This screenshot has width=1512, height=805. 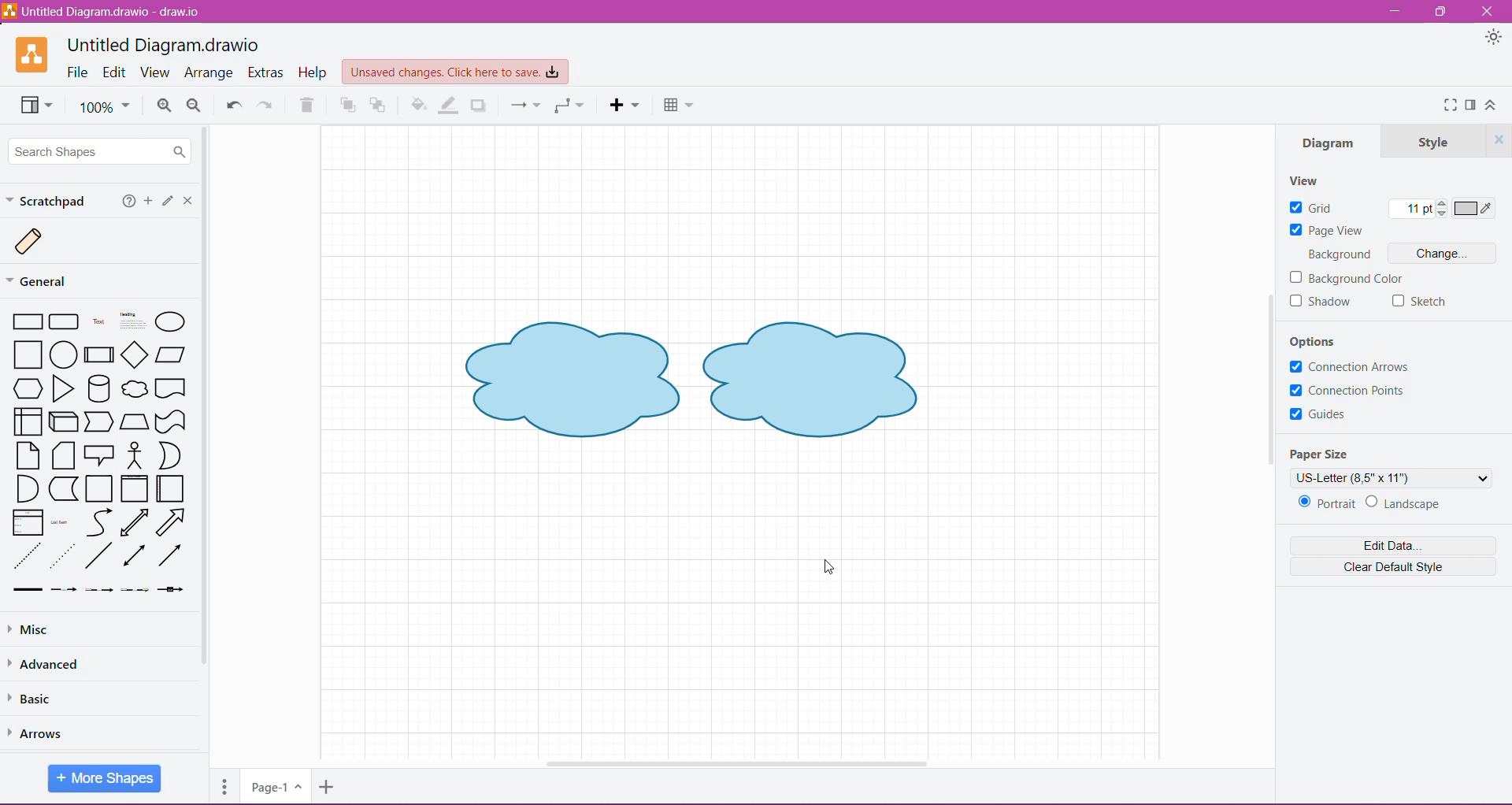 What do you see at coordinates (569, 106) in the screenshot?
I see `Waypoint` at bounding box center [569, 106].